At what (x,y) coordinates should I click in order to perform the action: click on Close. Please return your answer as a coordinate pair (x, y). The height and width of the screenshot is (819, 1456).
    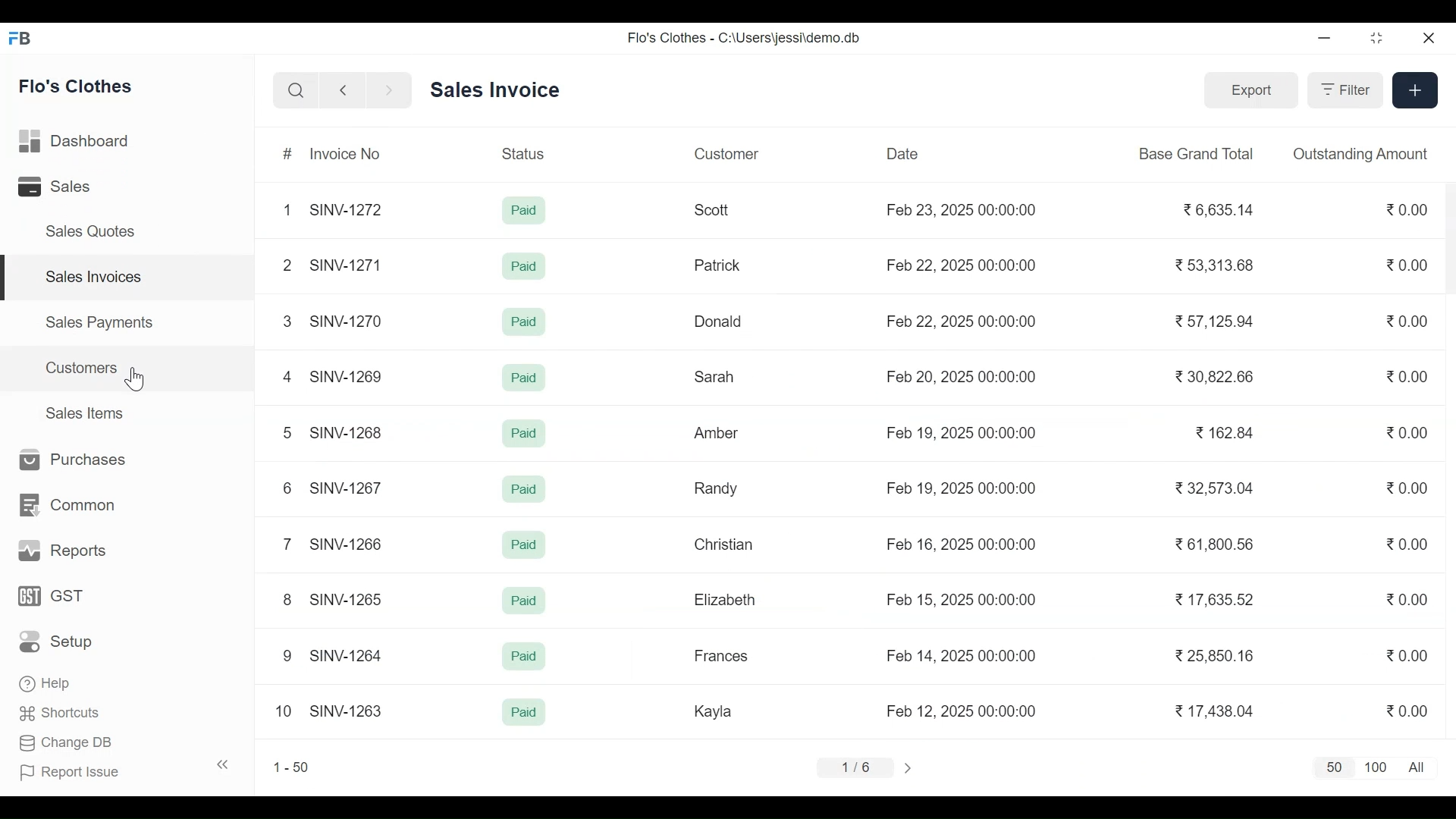
    Looking at the image, I should click on (1426, 37).